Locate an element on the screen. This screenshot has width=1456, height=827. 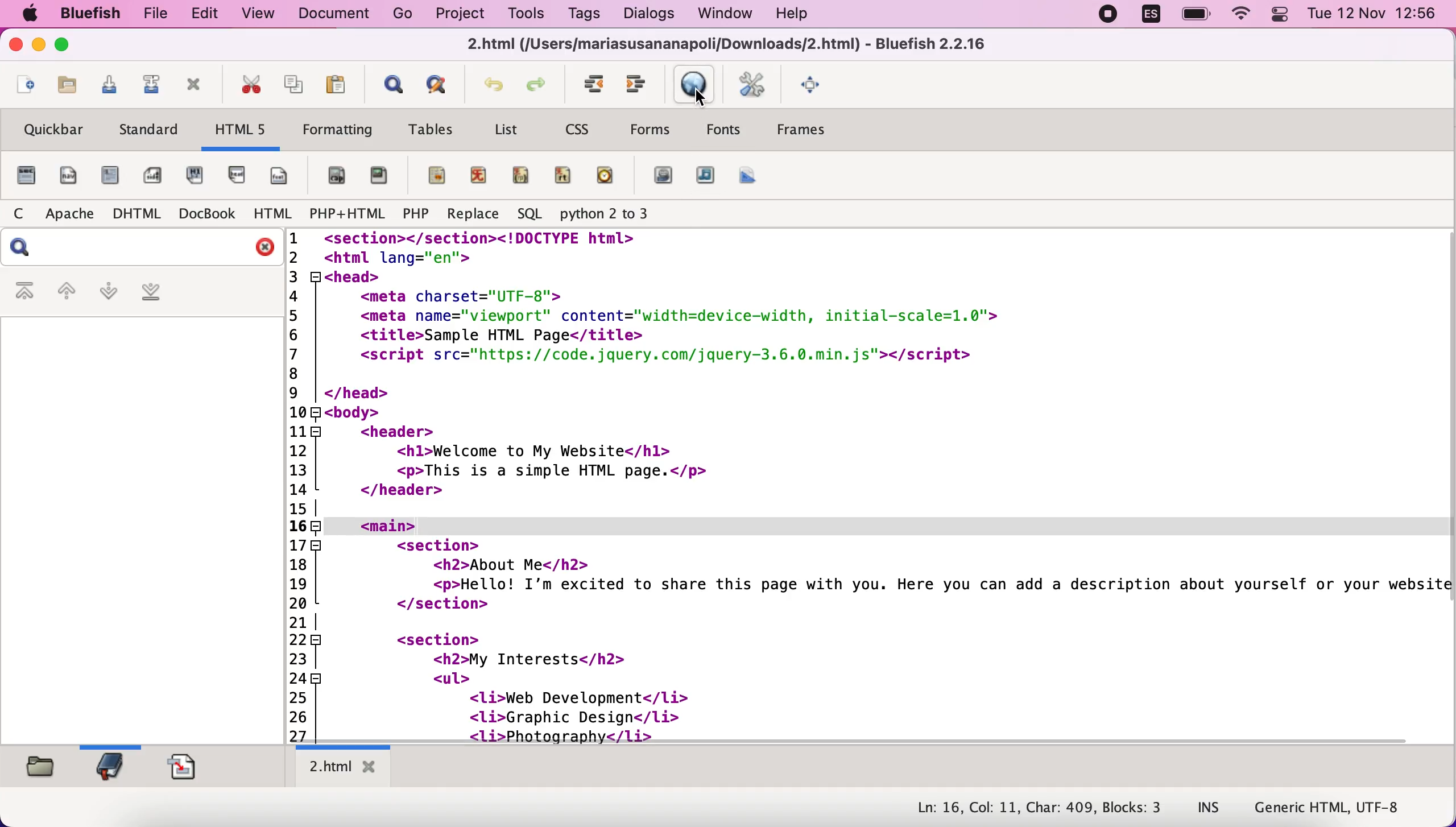
Generic HTML, UTF-8 is located at coordinates (1331, 808).